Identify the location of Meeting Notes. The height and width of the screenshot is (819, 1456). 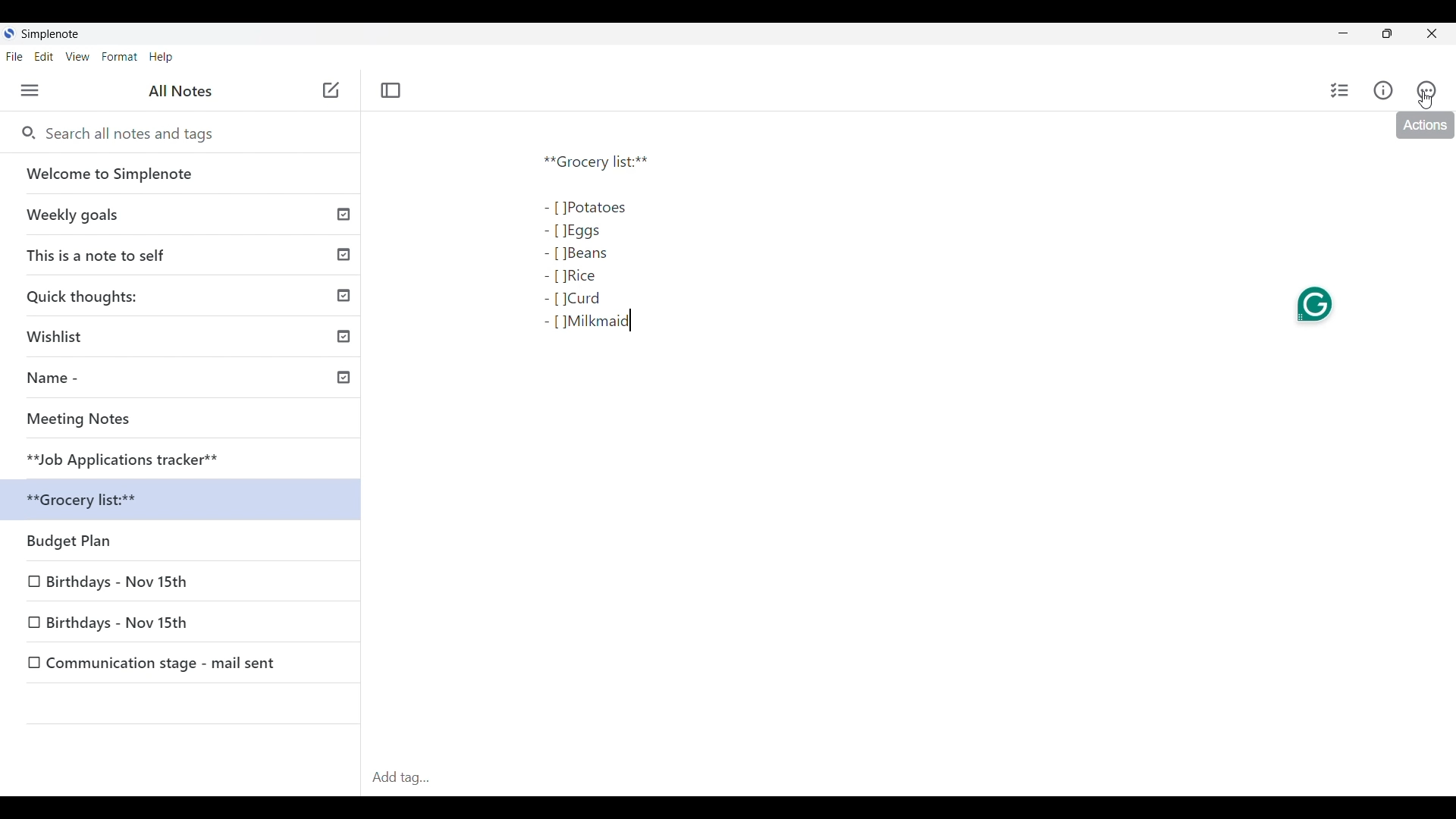
(186, 421).